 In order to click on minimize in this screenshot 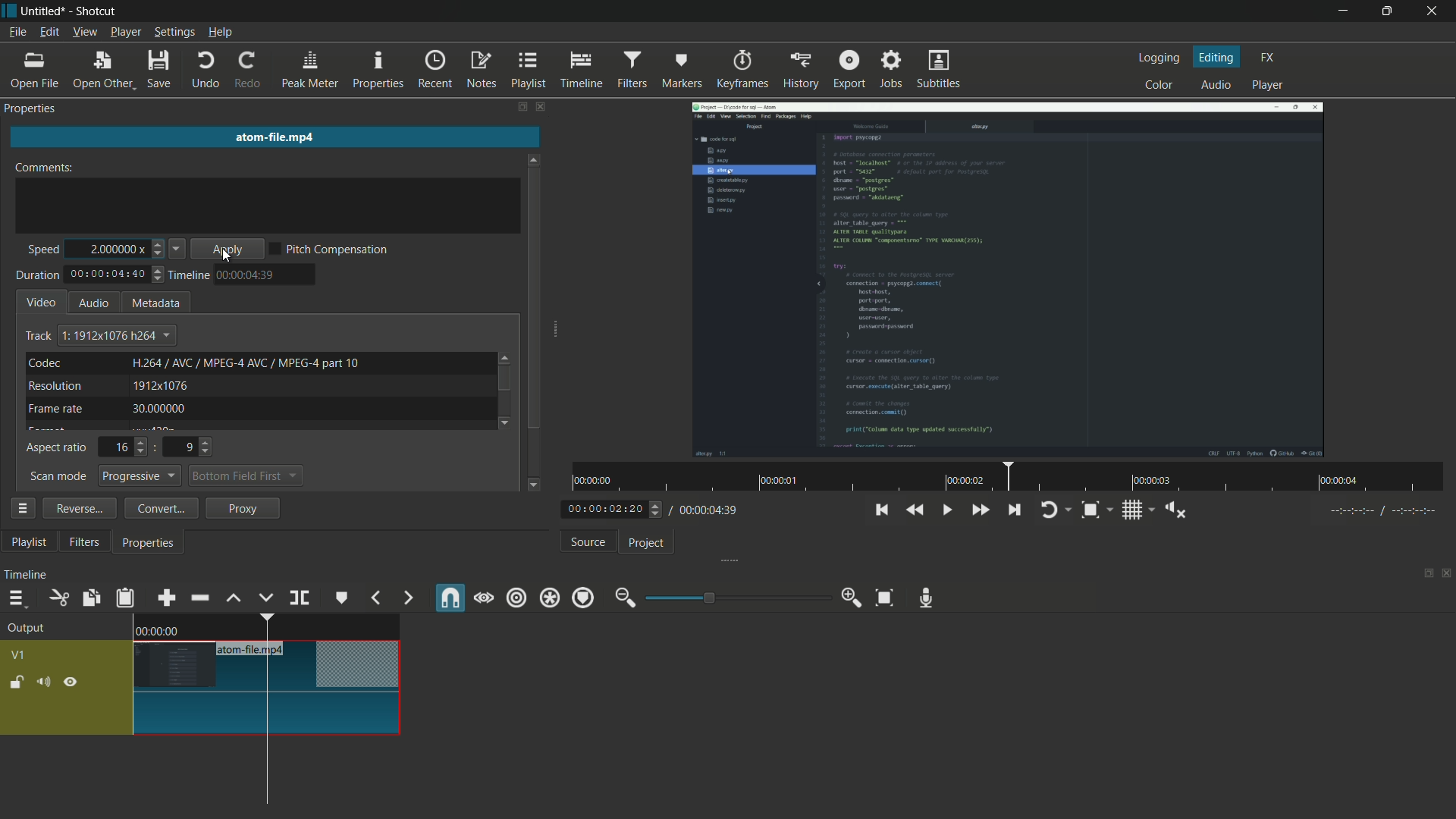, I will do `click(1345, 11)`.